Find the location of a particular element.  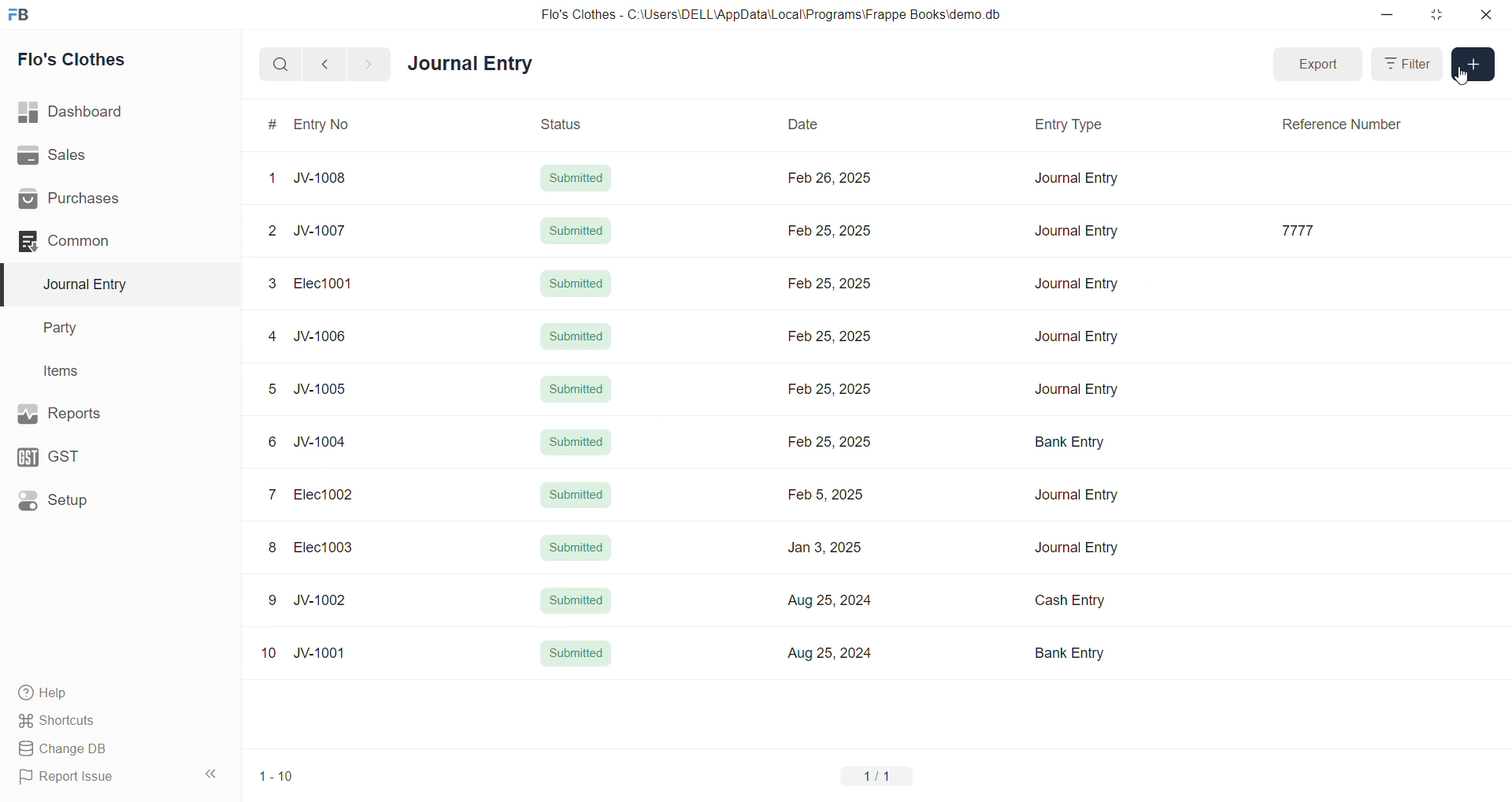

9 is located at coordinates (274, 601).